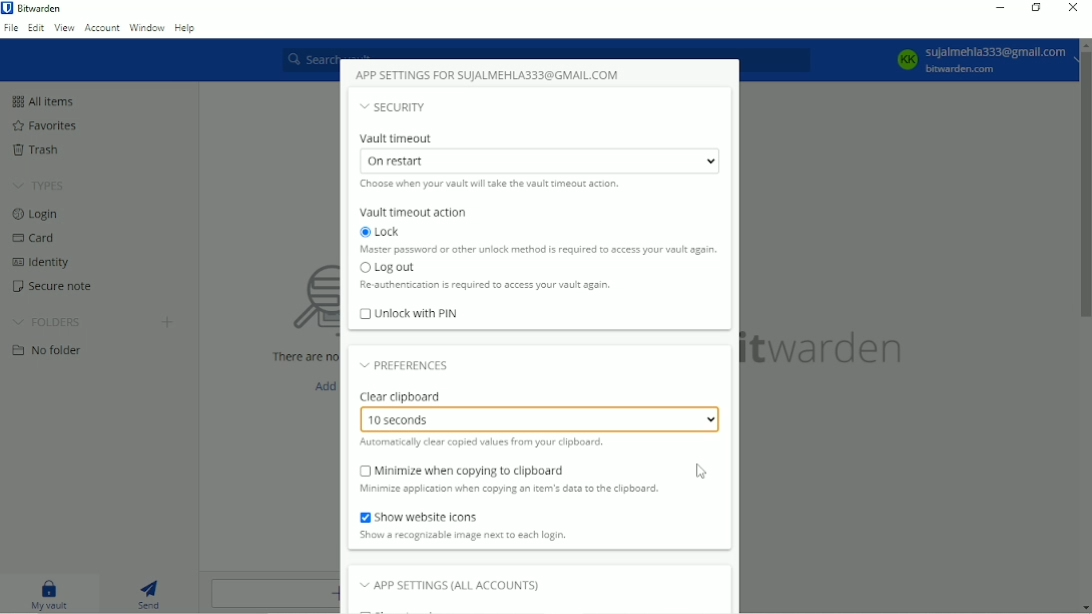 This screenshot has width=1092, height=614. What do you see at coordinates (43, 151) in the screenshot?
I see `Trash` at bounding box center [43, 151].